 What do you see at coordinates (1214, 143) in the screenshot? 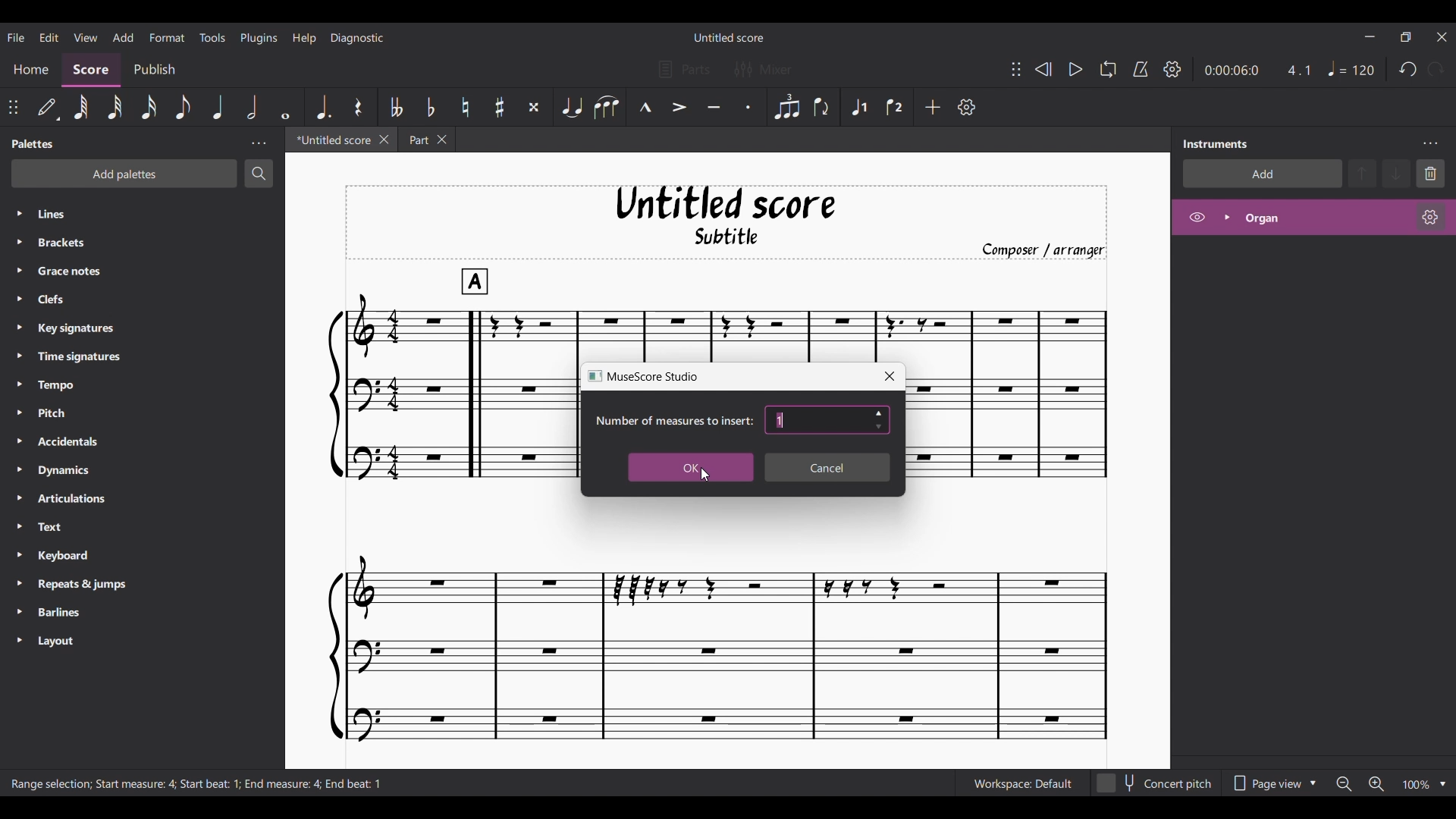
I see `Panel title` at bounding box center [1214, 143].